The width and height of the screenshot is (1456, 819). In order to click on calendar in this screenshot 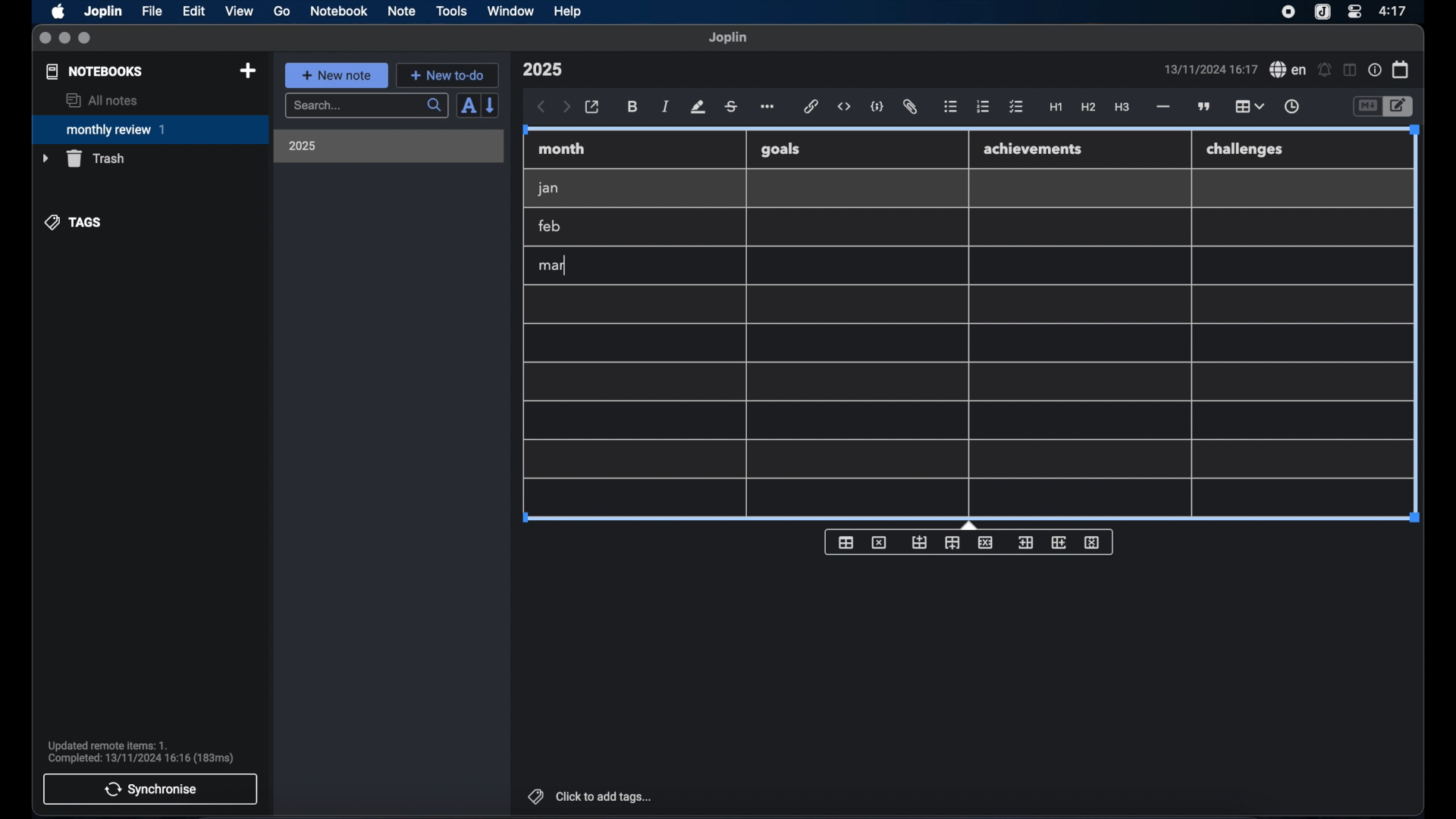, I will do `click(1401, 69)`.